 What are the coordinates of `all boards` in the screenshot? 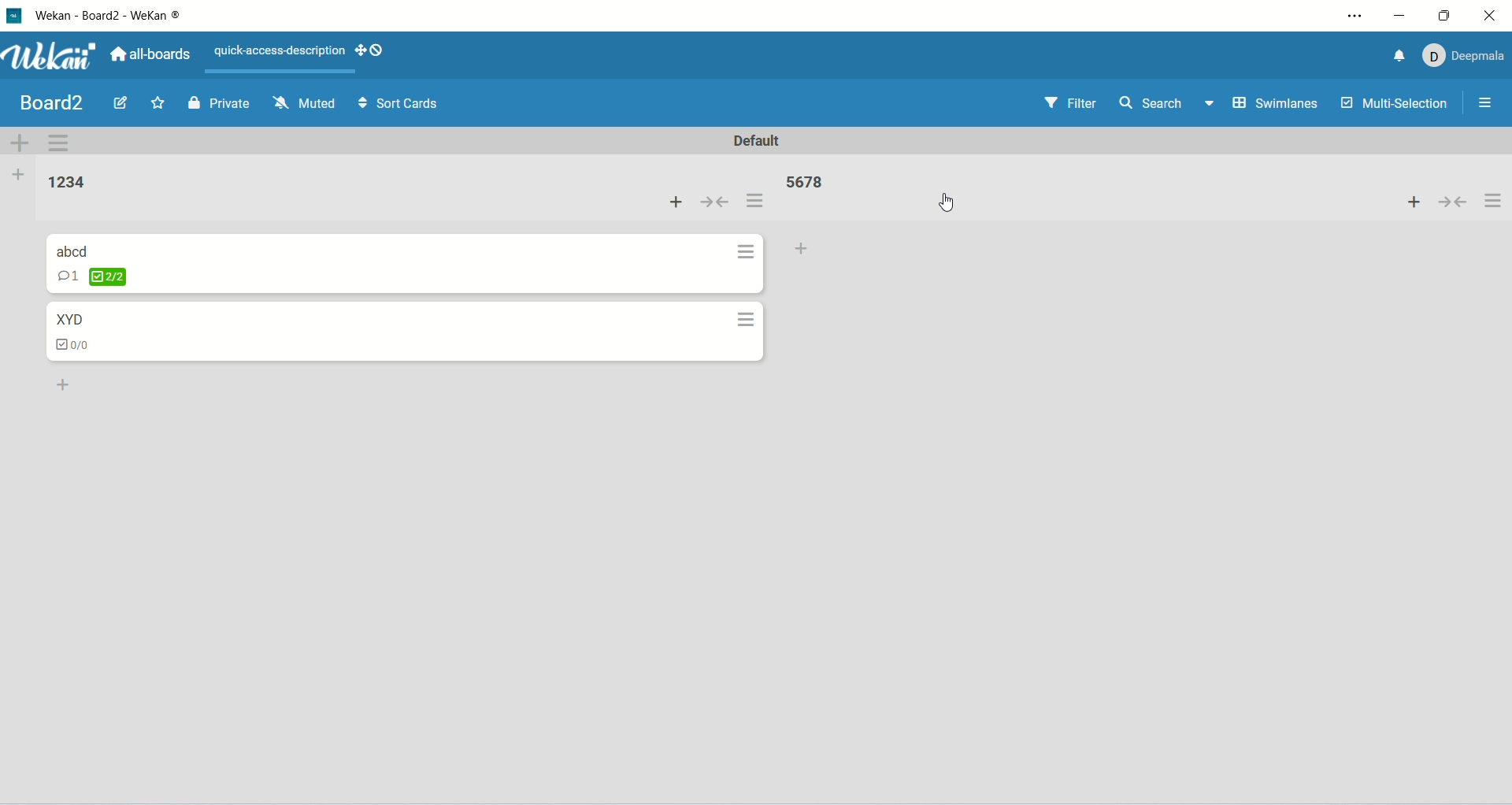 It's located at (154, 50).